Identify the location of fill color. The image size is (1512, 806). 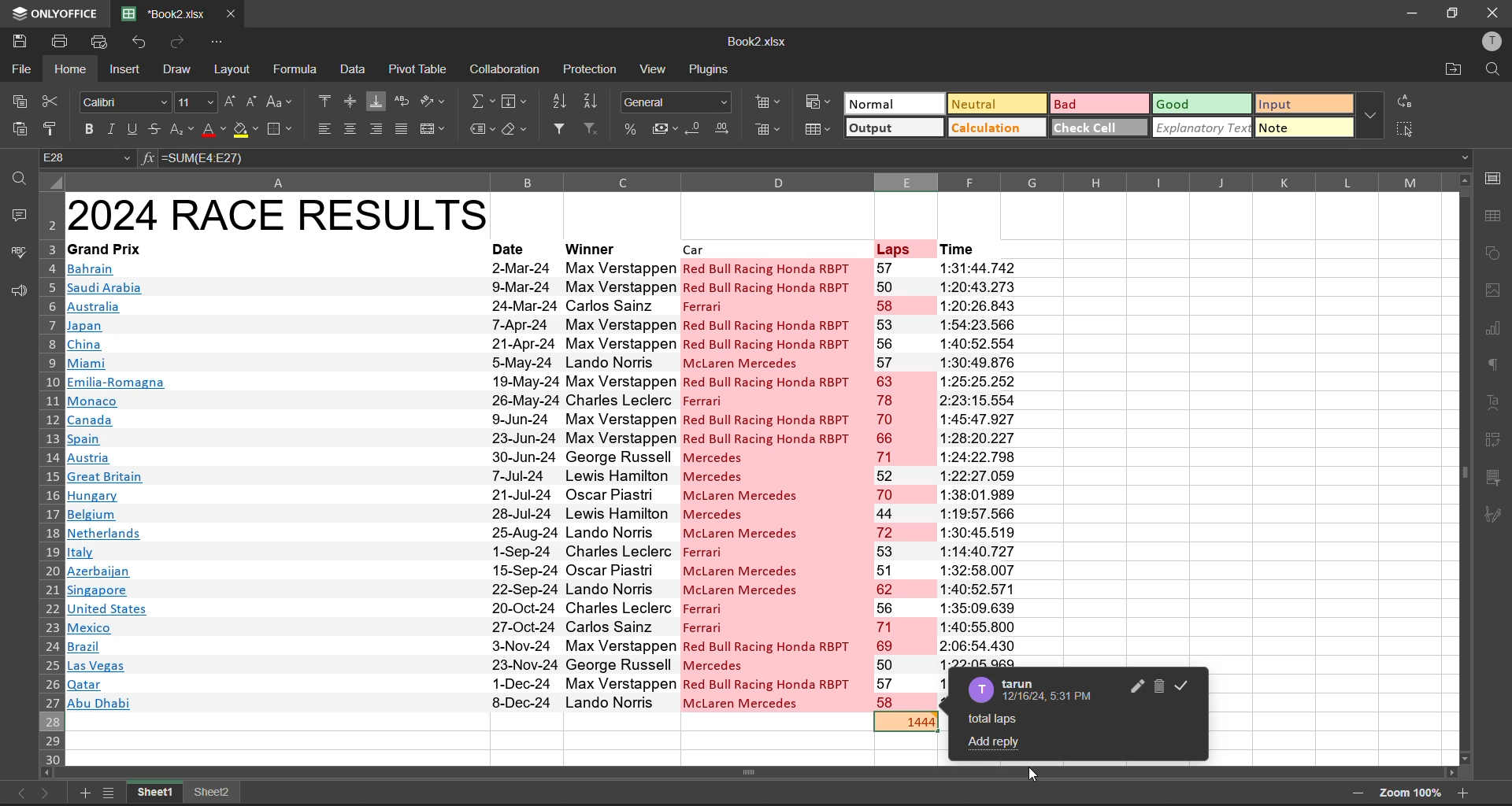
(244, 130).